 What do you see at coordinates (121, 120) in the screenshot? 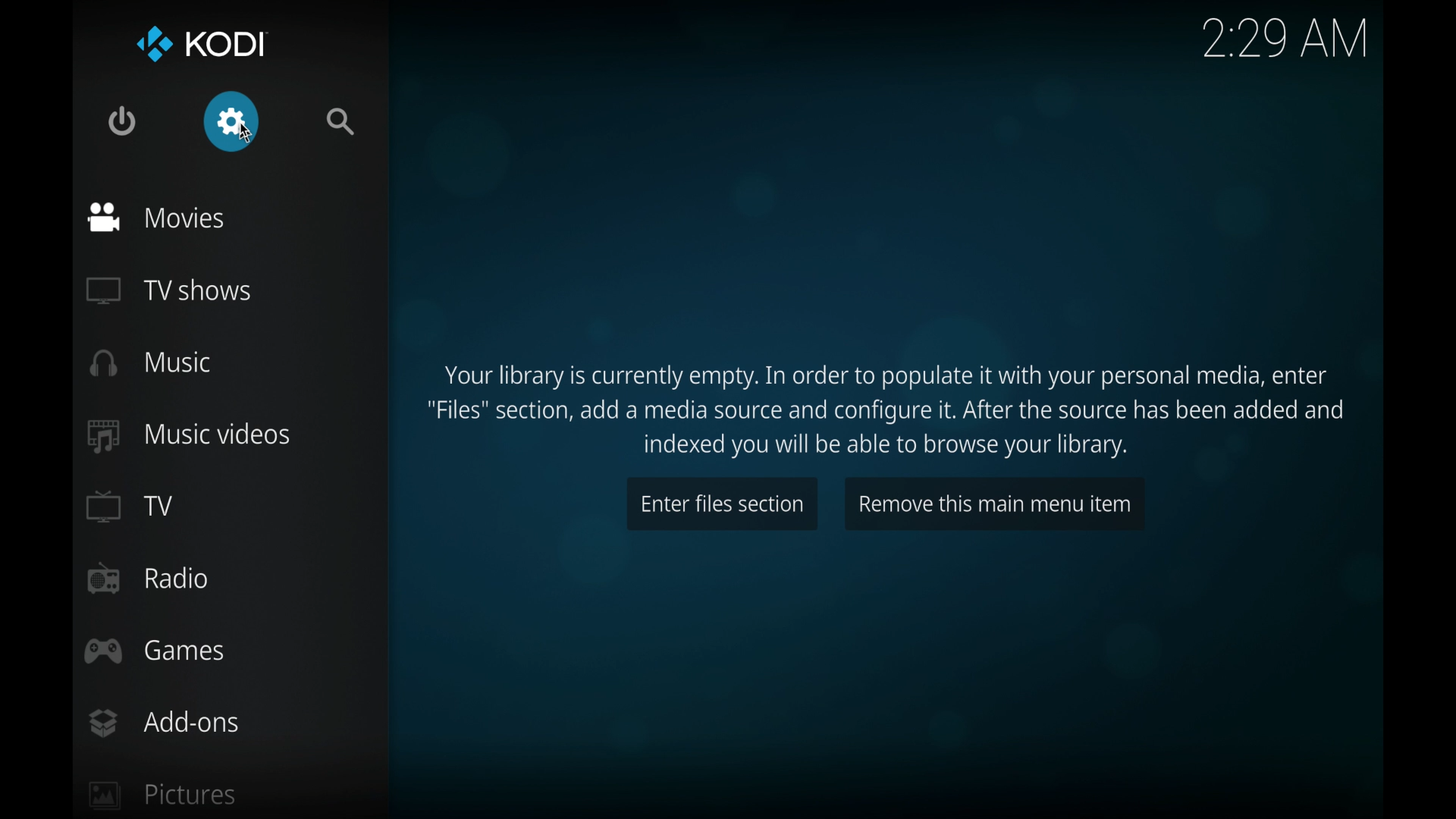
I see `quit kodi` at bounding box center [121, 120].